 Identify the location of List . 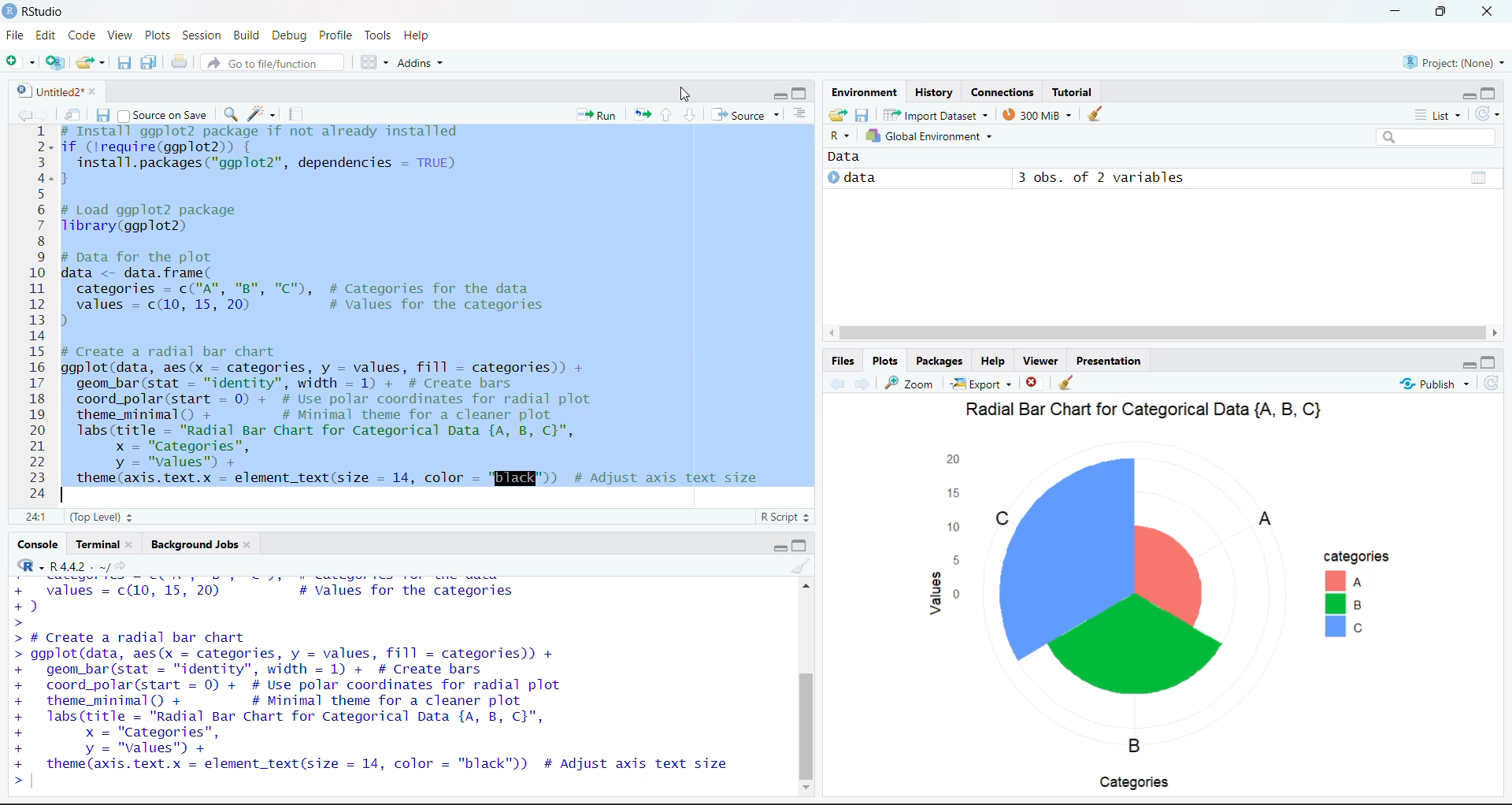
(1439, 116).